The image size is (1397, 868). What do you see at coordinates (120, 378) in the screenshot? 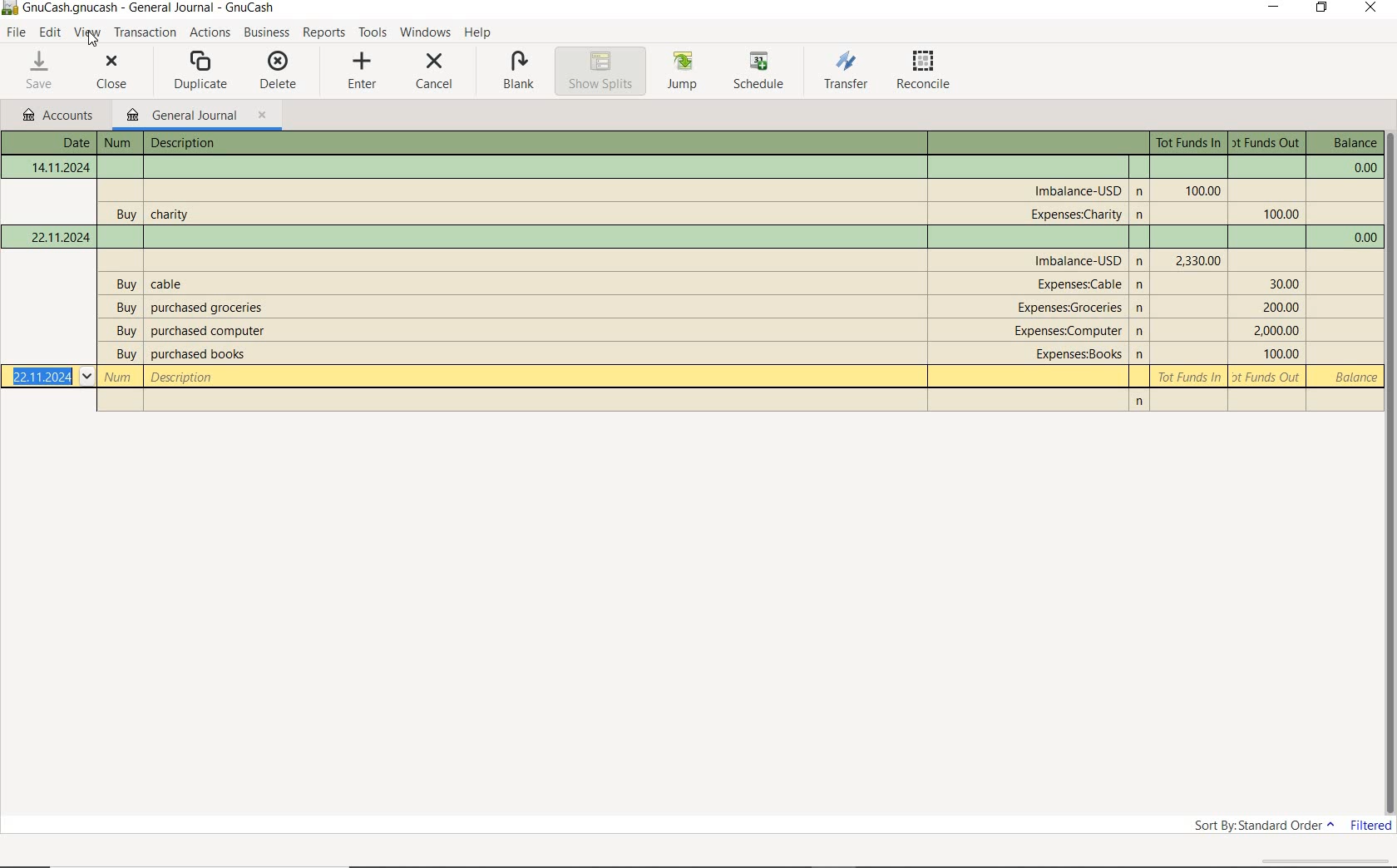
I see `Number` at bounding box center [120, 378].